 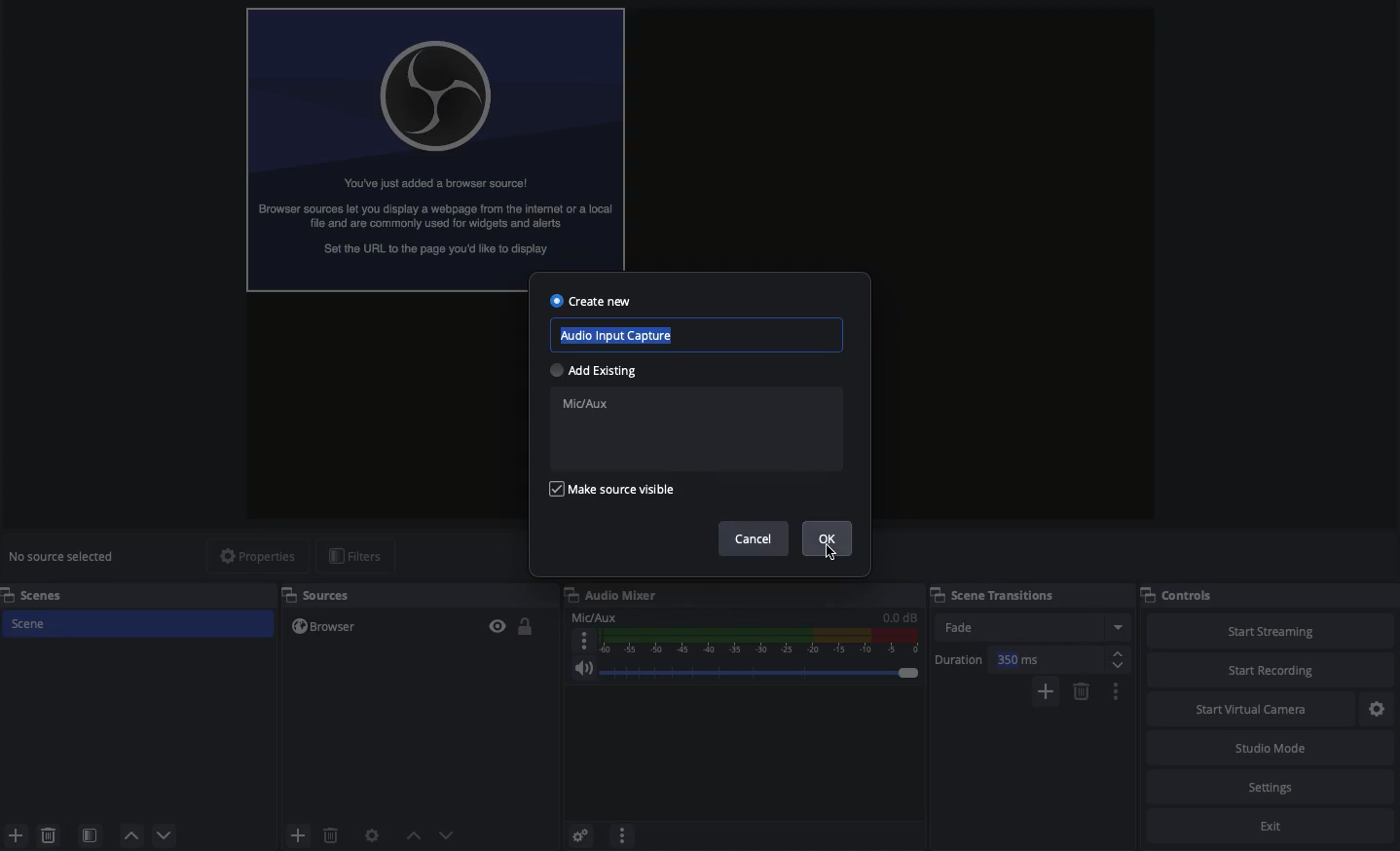 I want to click on Delete, so click(x=51, y=834).